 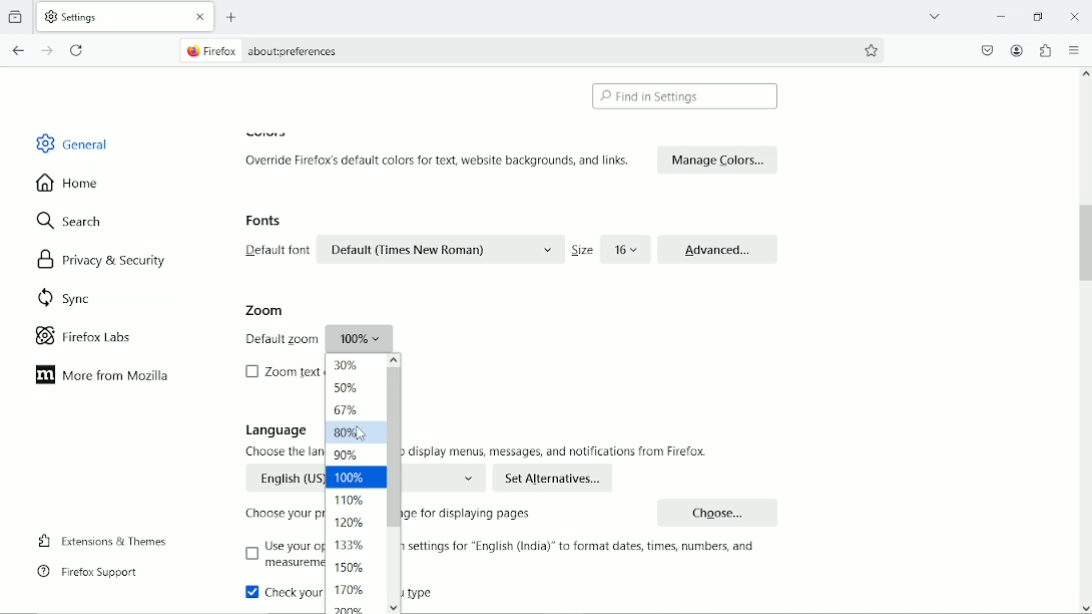 I want to click on 110%, so click(x=350, y=500).